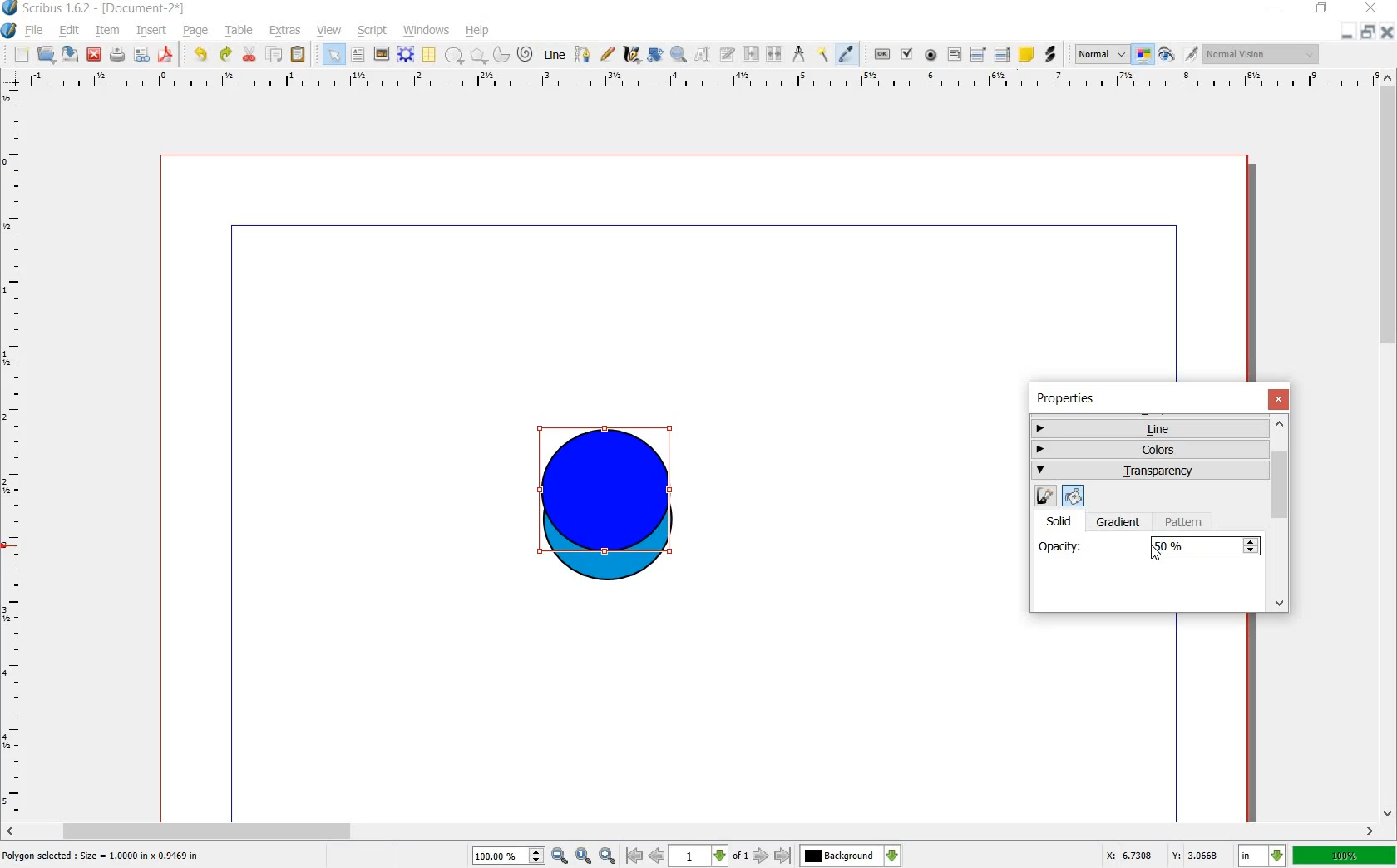 Image resolution: width=1397 pixels, height=868 pixels. What do you see at coordinates (501, 57) in the screenshot?
I see `arc` at bounding box center [501, 57].